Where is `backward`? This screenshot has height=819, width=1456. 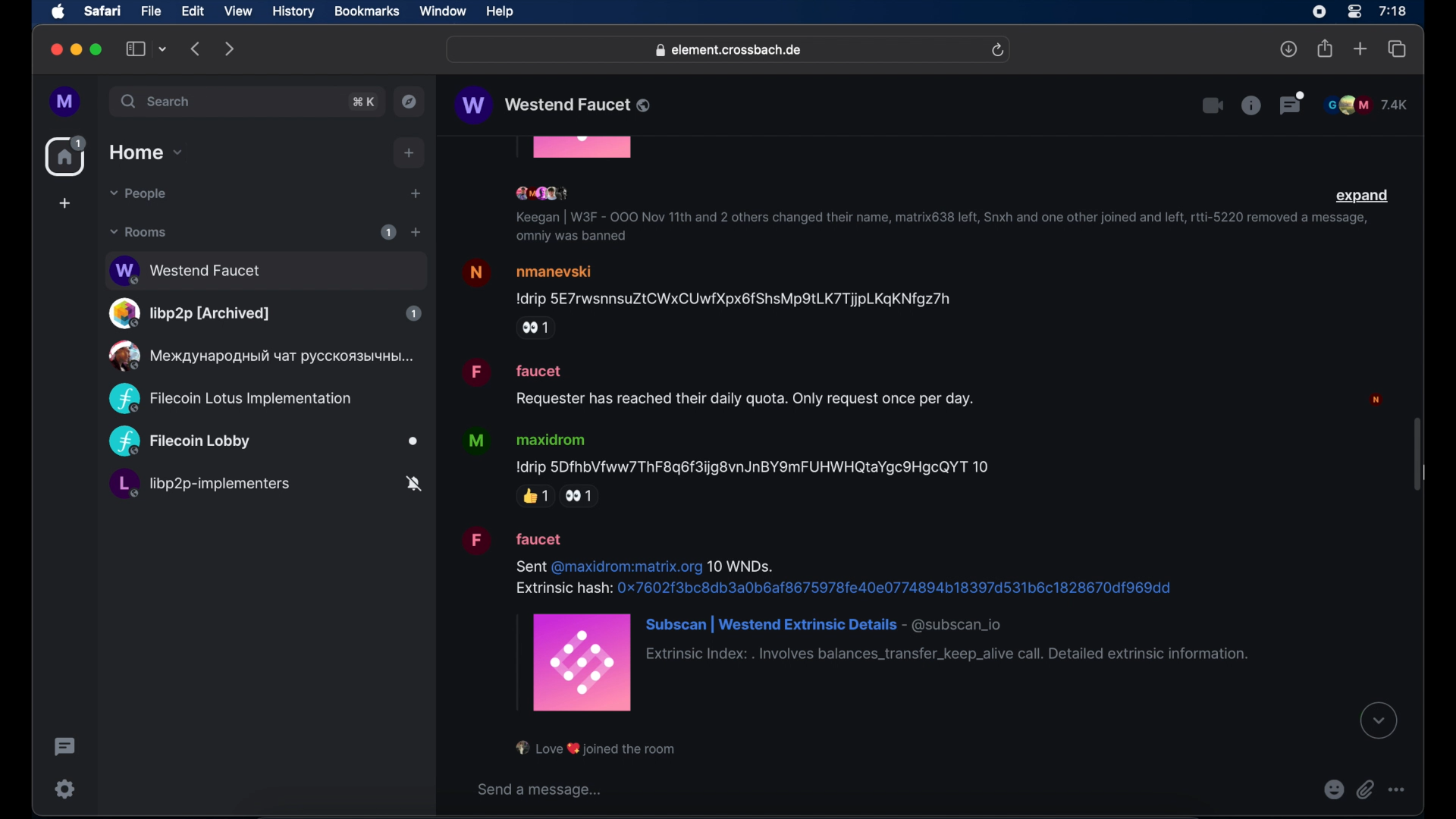
backward is located at coordinates (196, 49).